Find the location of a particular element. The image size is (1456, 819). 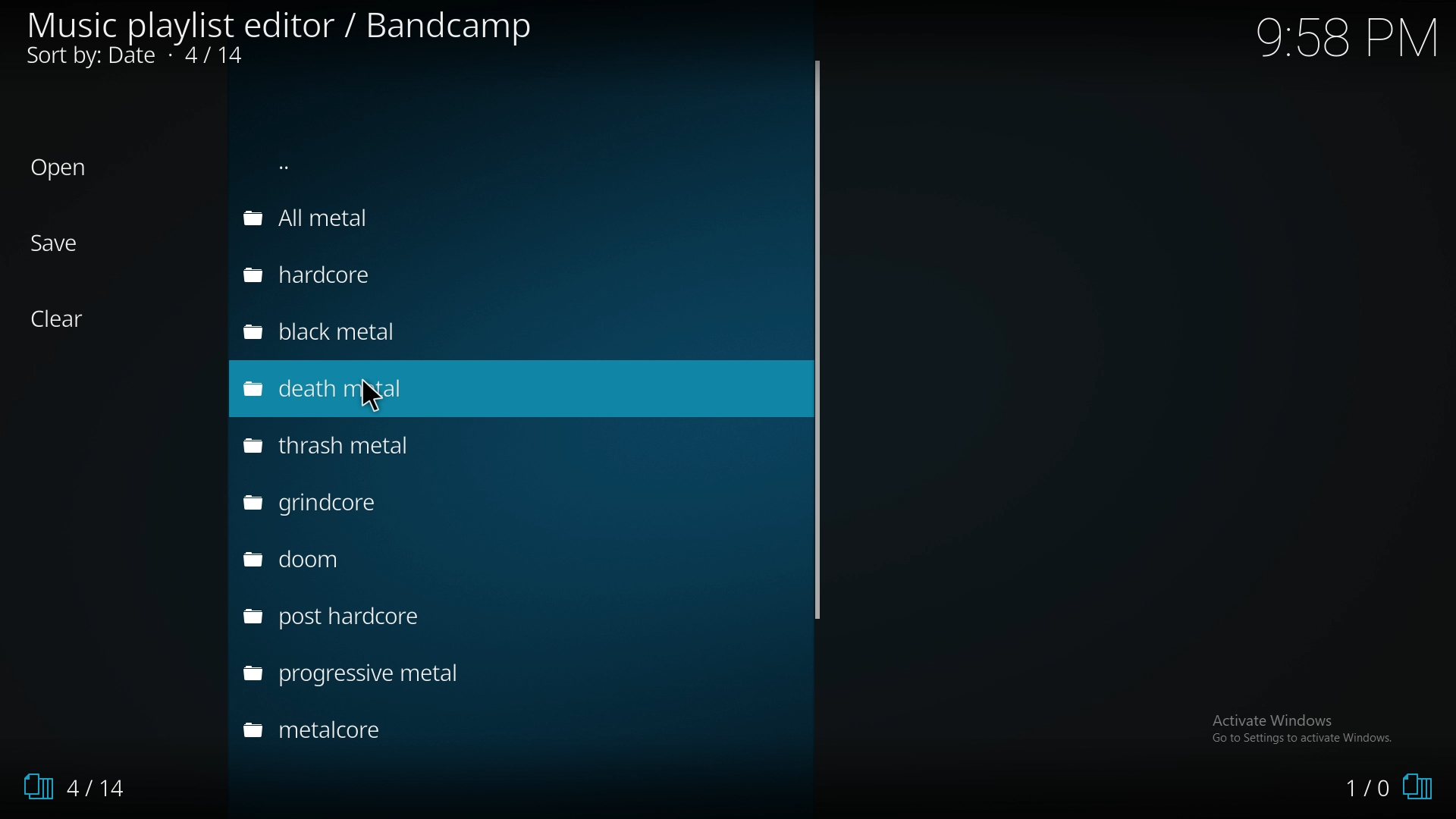

Clear is located at coordinates (66, 319).